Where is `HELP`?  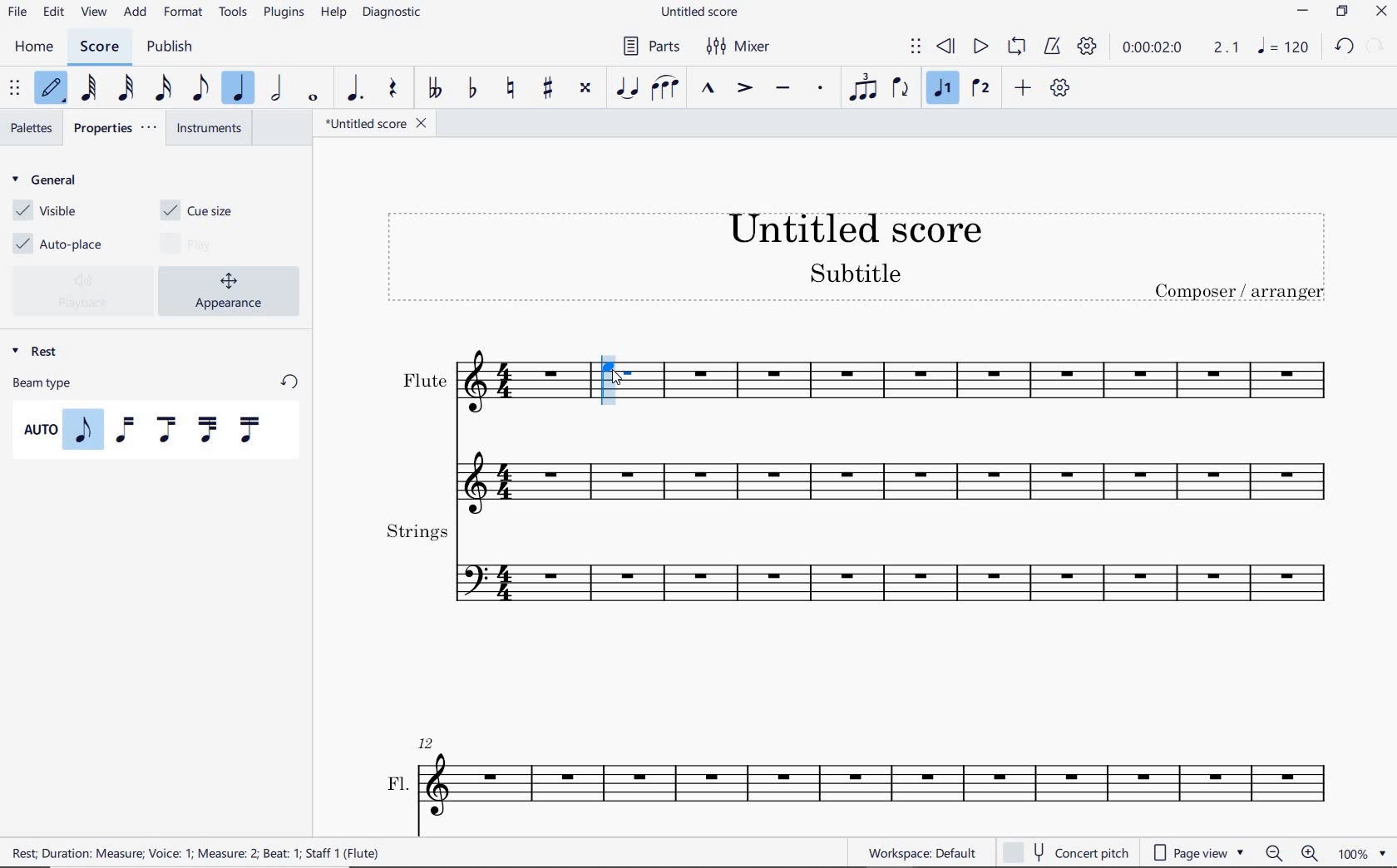
HELP is located at coordinates (334, 12).